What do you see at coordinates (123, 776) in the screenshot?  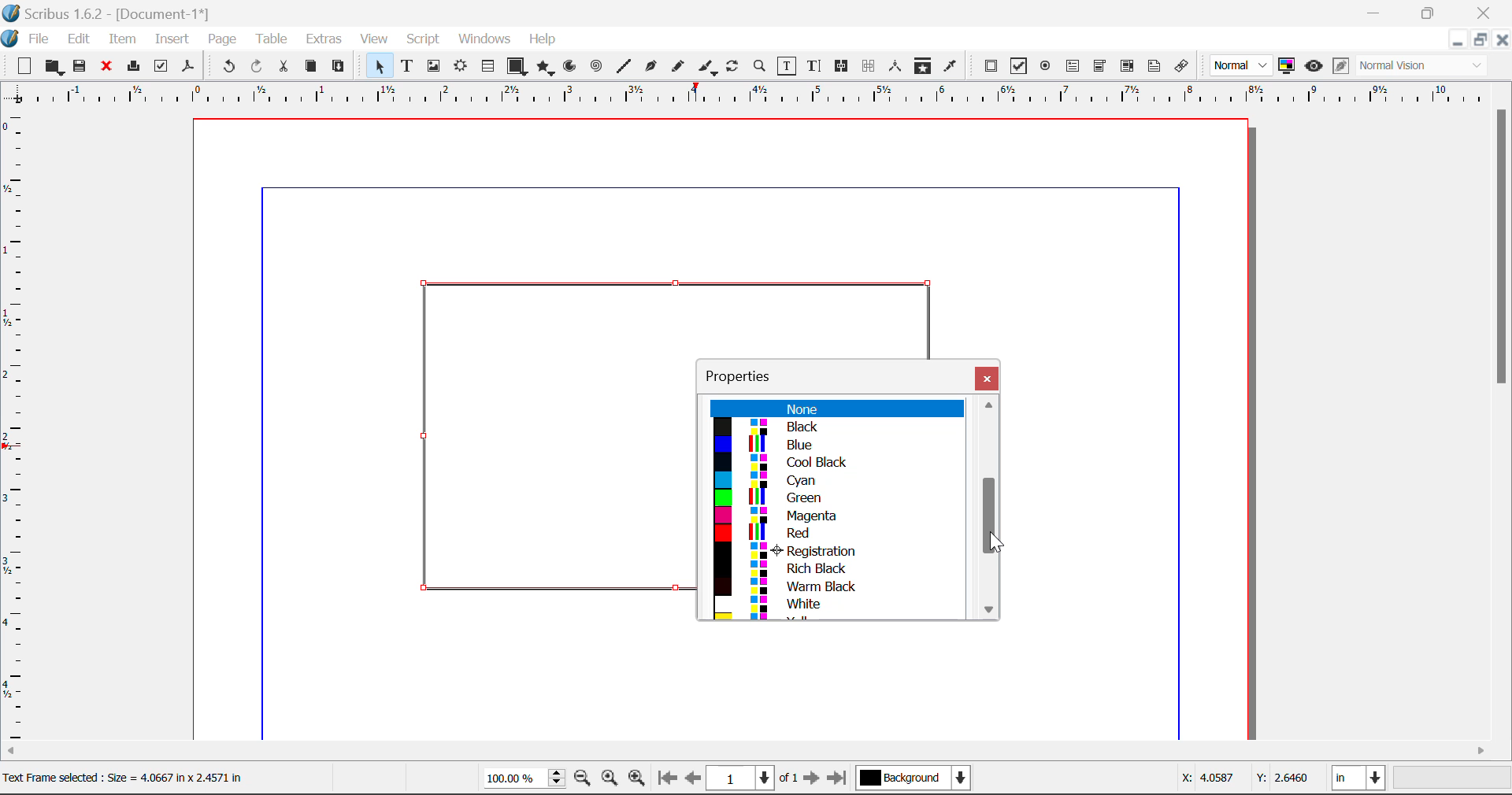 I see `Text Frame selected: Size= 4.0667 in x 2.4571 in` at bounding box center [123, 776].